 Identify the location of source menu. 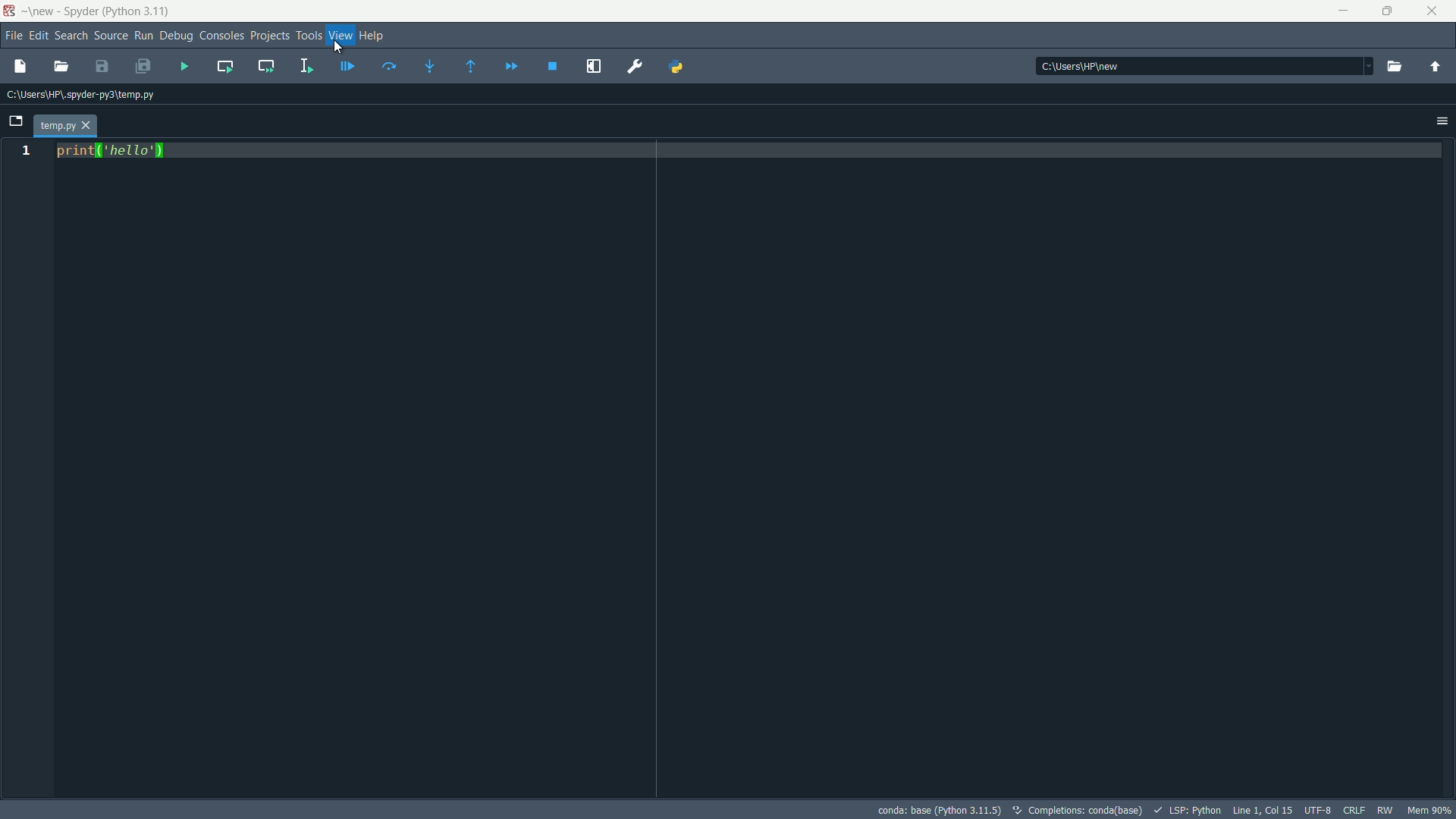
(111, 36).